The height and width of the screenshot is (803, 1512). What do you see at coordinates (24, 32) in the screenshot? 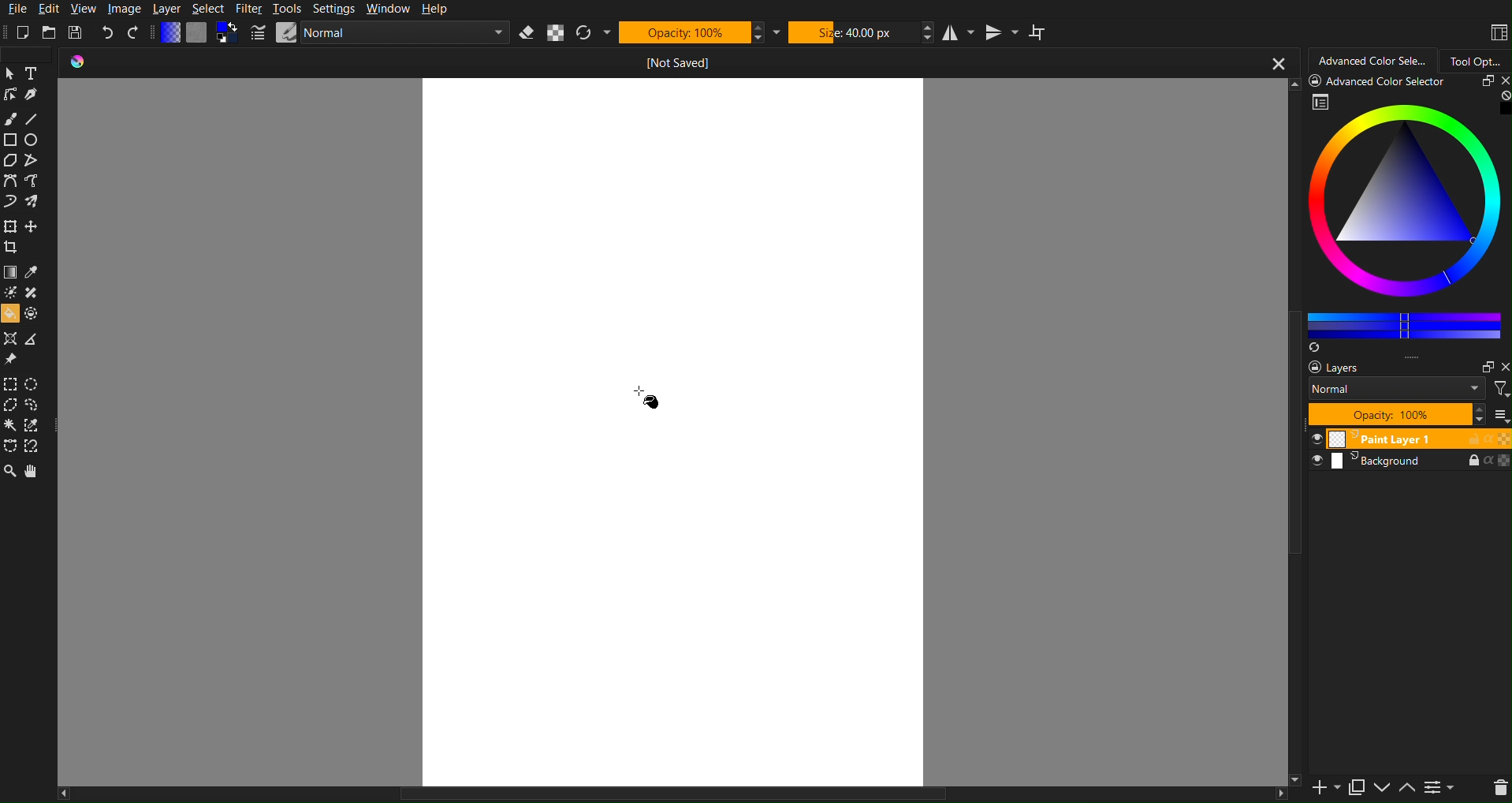
I see `New` at bounding box center [24, 32].